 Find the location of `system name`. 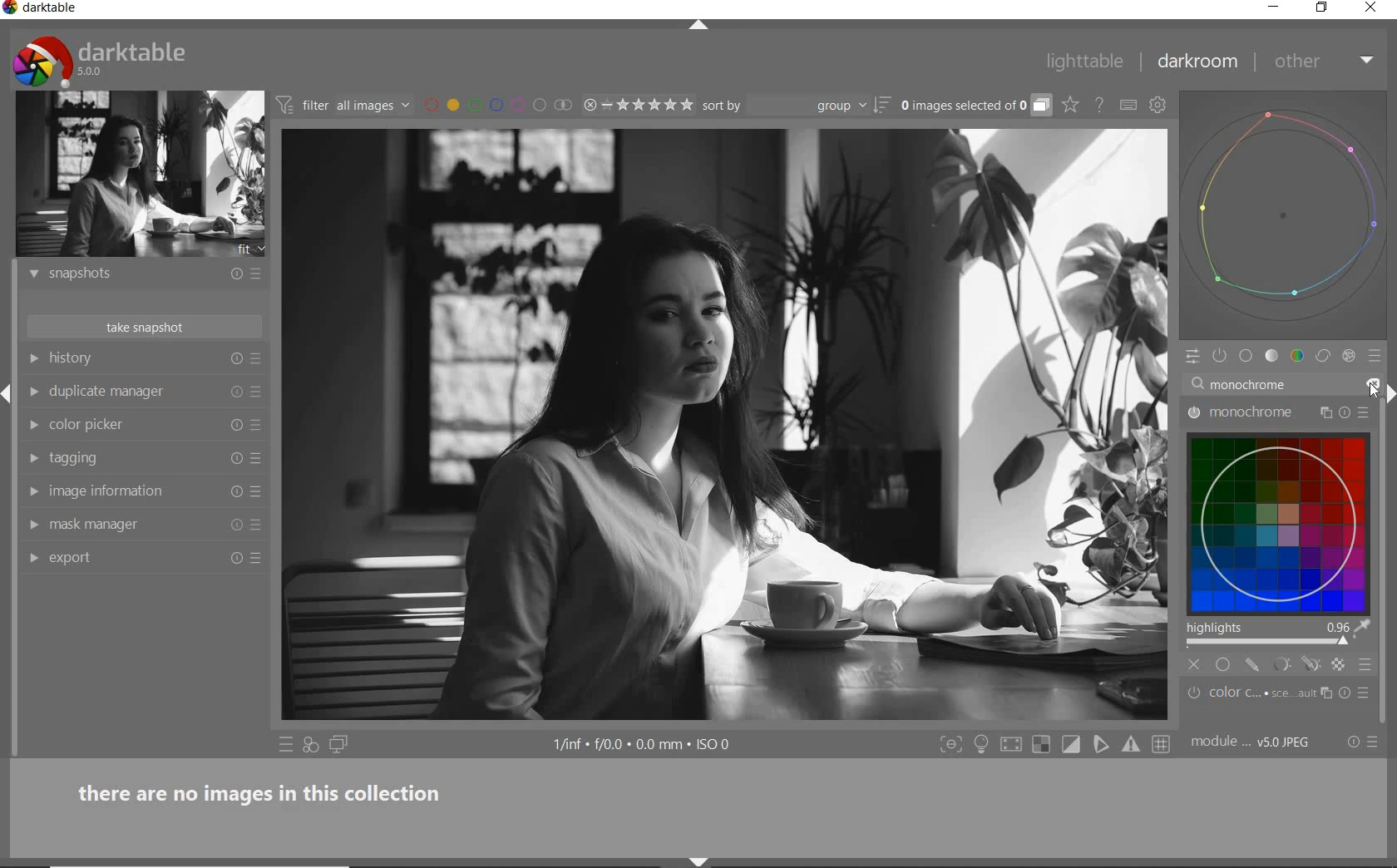

system name is located at coordinates (42, 9).